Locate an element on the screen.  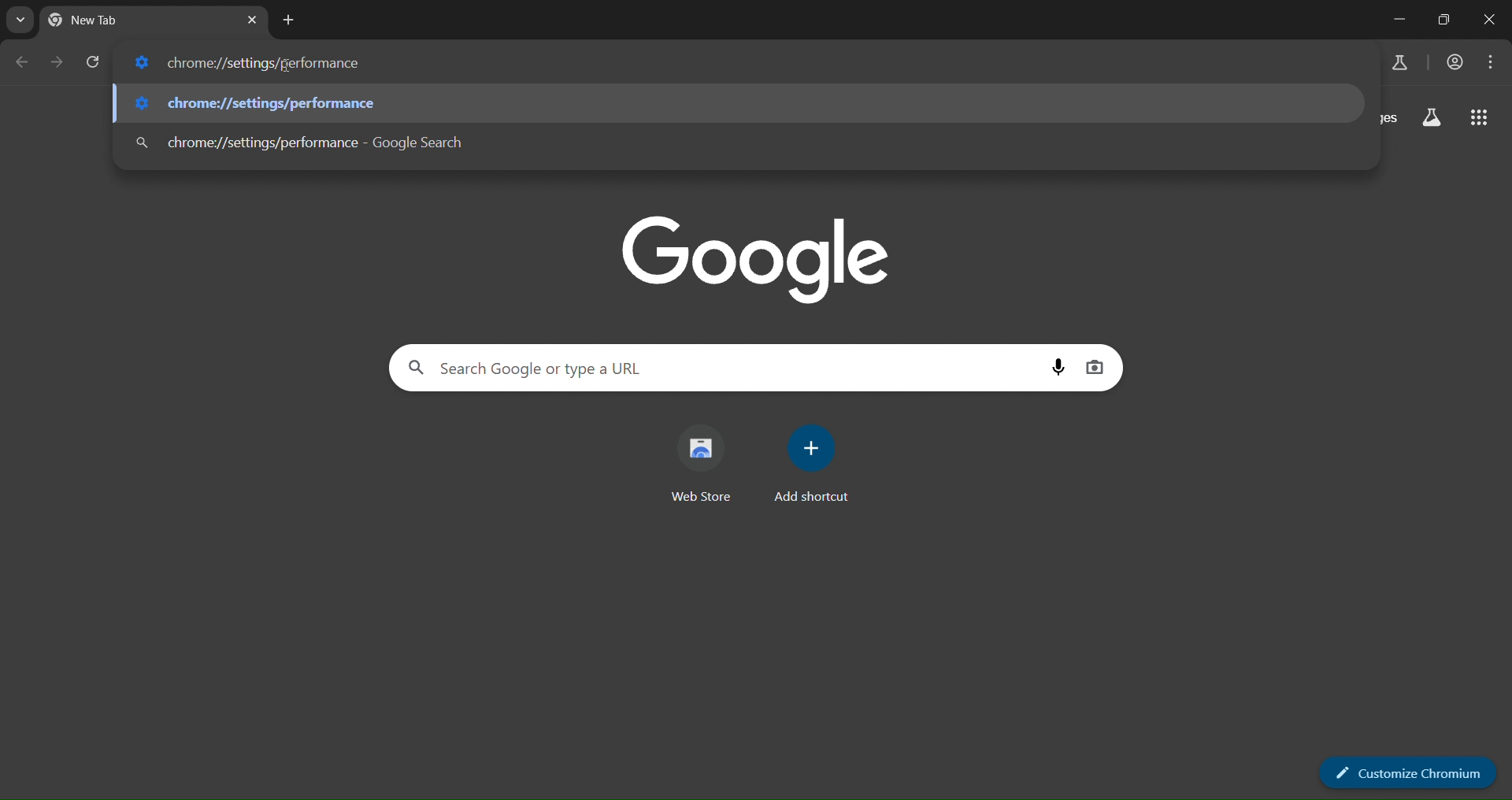
search labs is located at coordinates (1399, 63).